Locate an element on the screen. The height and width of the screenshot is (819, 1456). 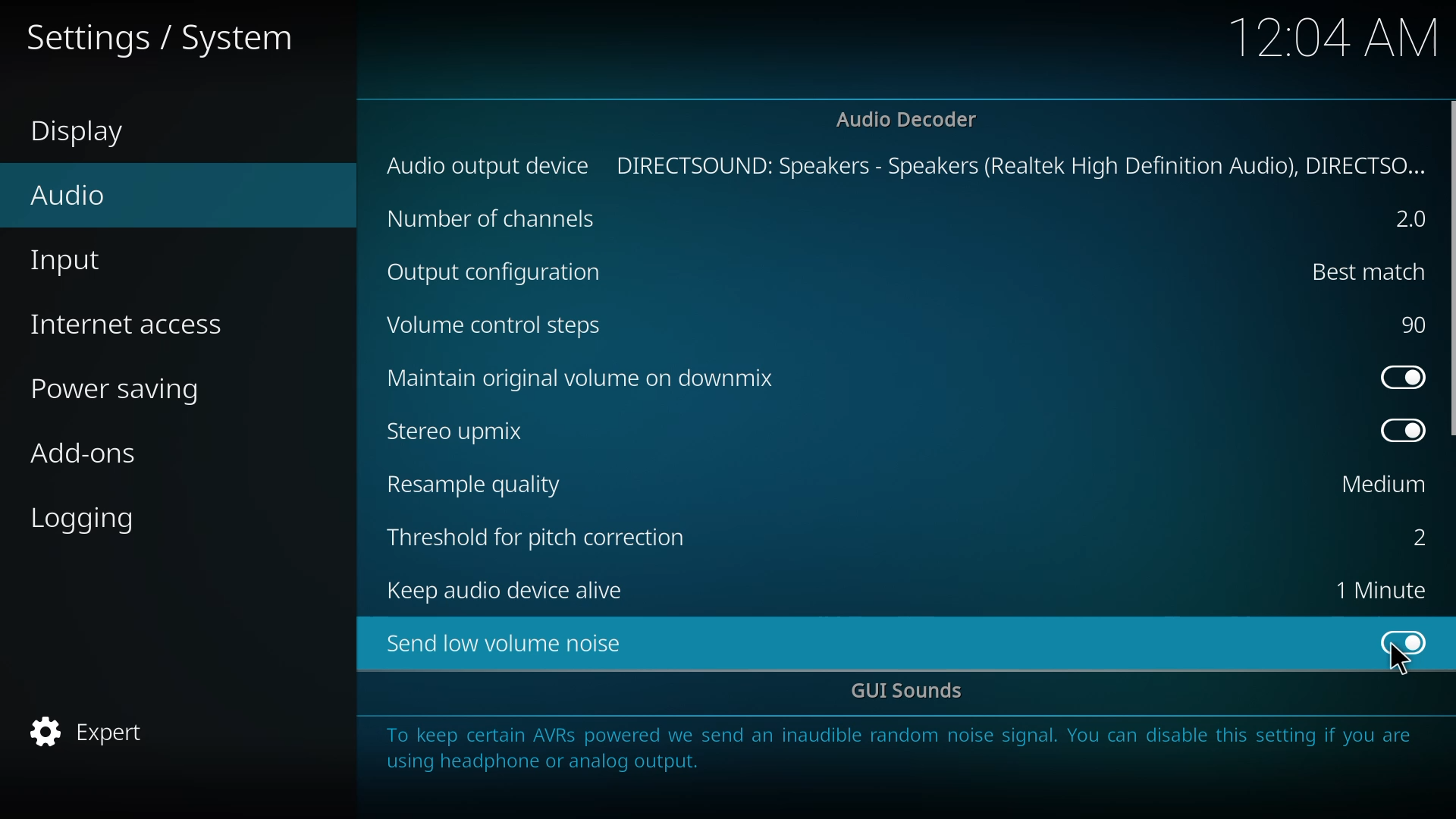
90 is located at coordinates (1414, 322).